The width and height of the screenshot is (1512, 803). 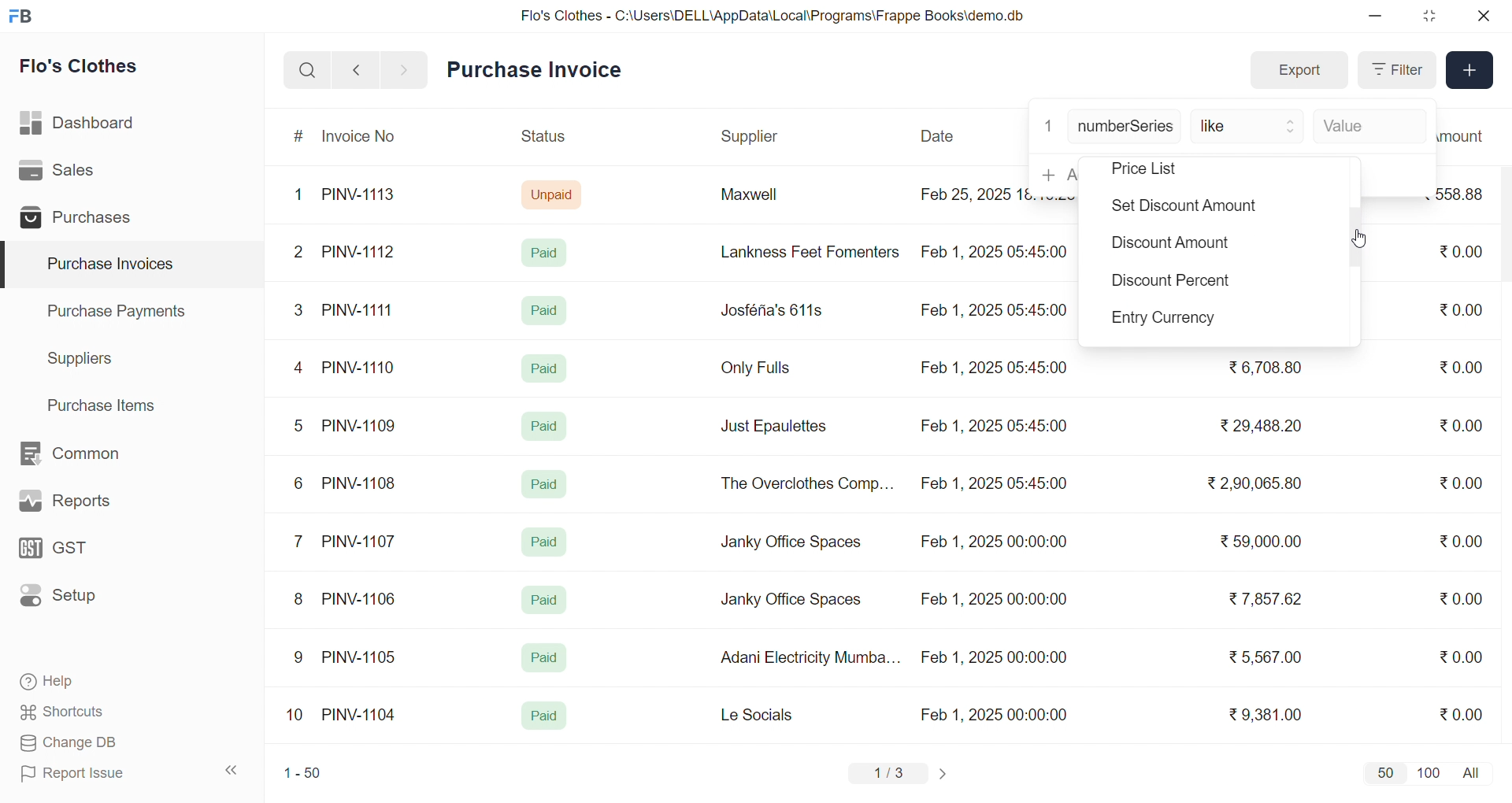 I want to click on Set Discount Amount, so click(x=1180, y=208).